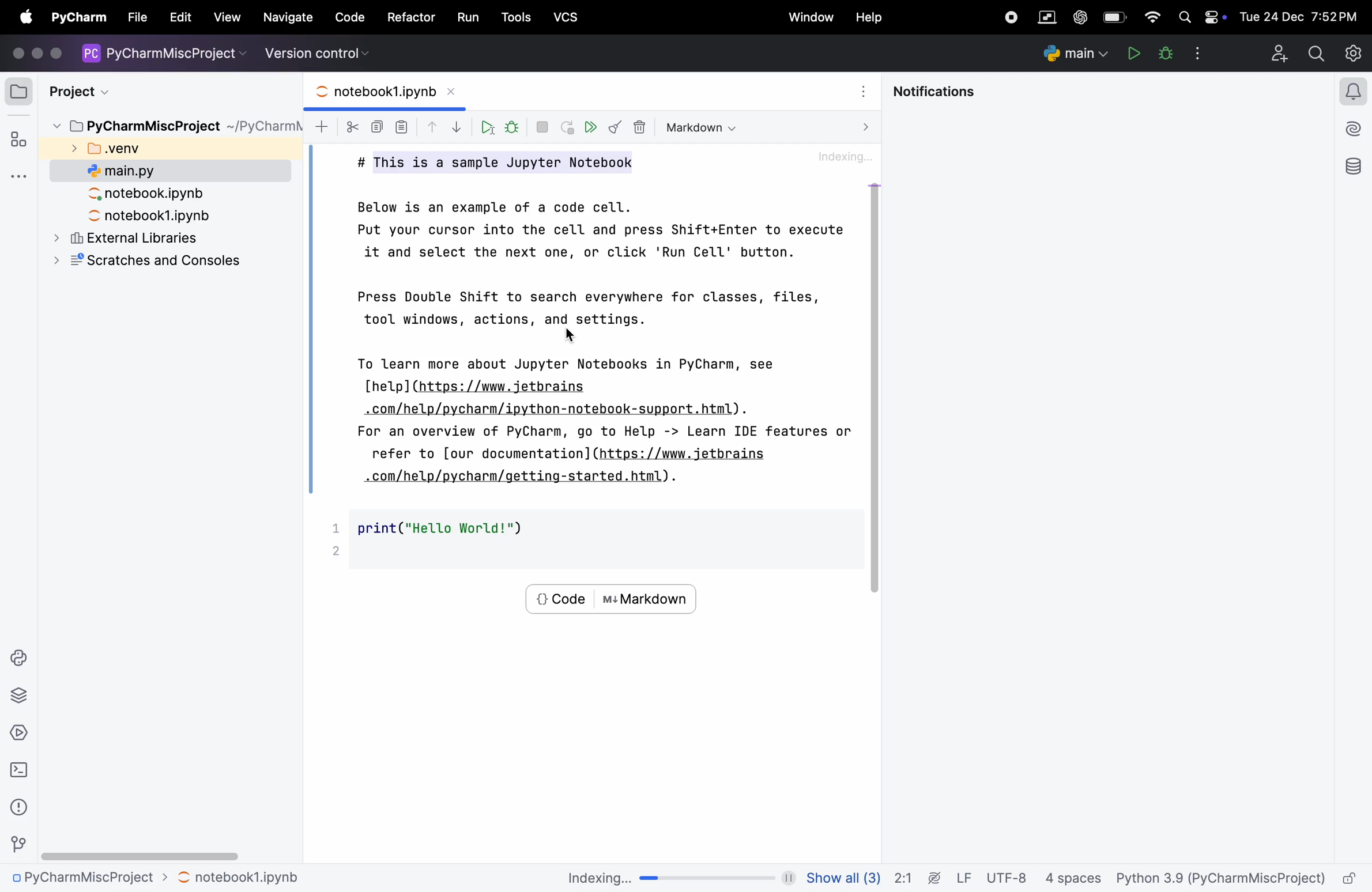 The height and width of the screenshot is (892, 1372). What do you see at coordinates (177, 16) in the screenshot?
I see `help` at bounding box center [177, 16].